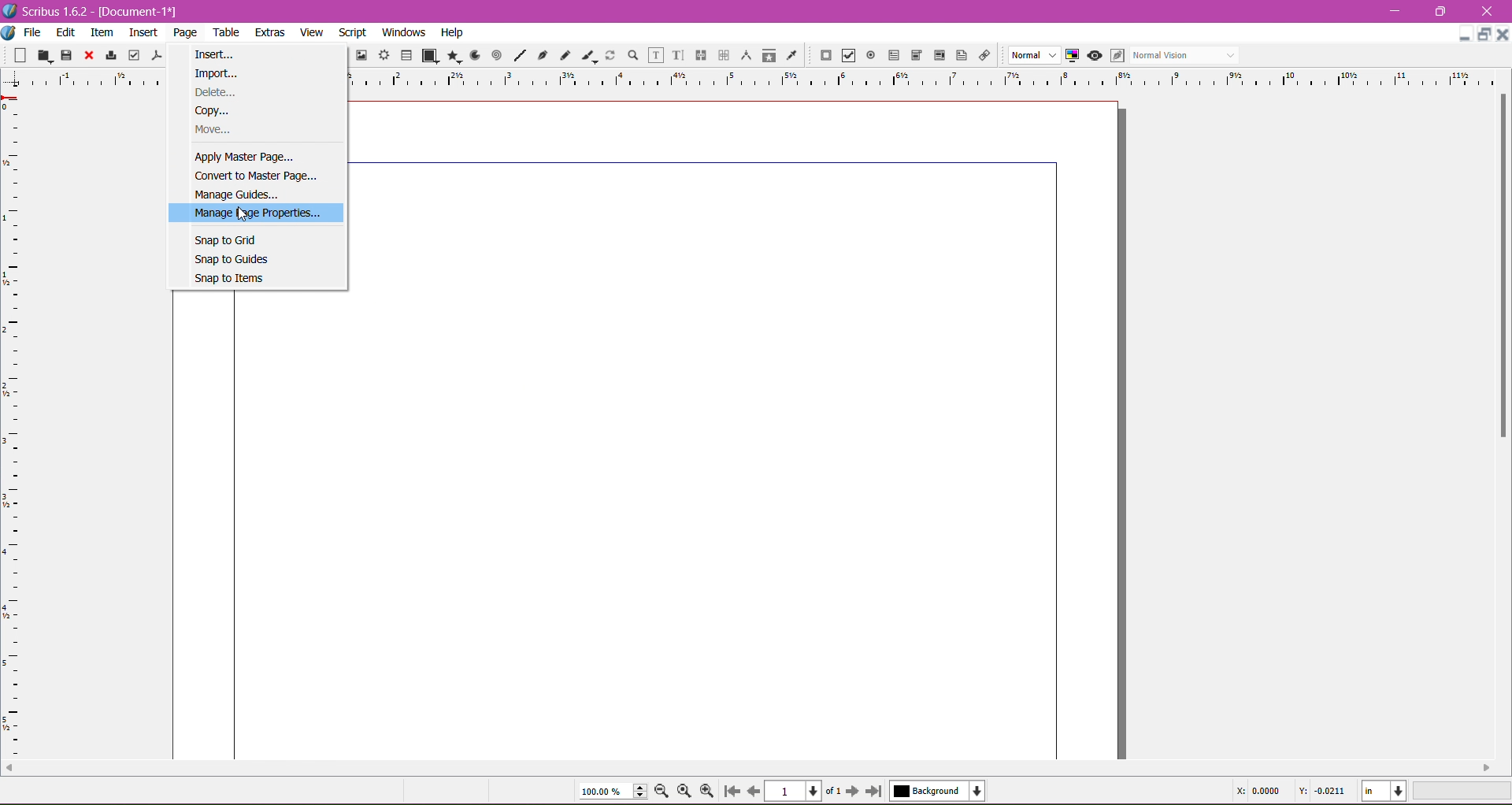 The height and width of the screenshot is (805, 1512). Describe the element at coordinates (158, 54) in the screenshot. I see `Save as PDF` at that location.